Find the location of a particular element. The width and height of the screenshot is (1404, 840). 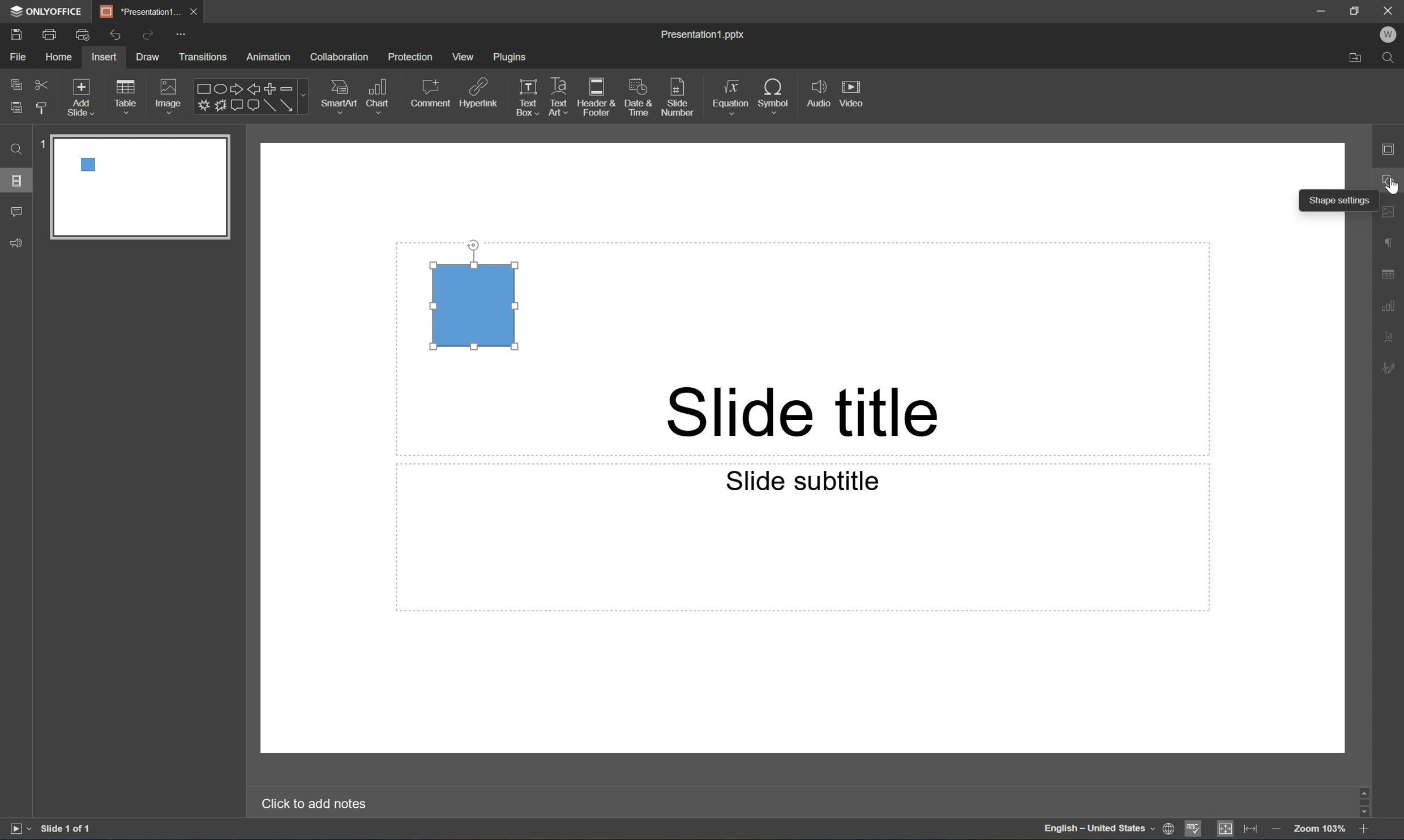

Shape settings is located at coordinates (1393, 179).